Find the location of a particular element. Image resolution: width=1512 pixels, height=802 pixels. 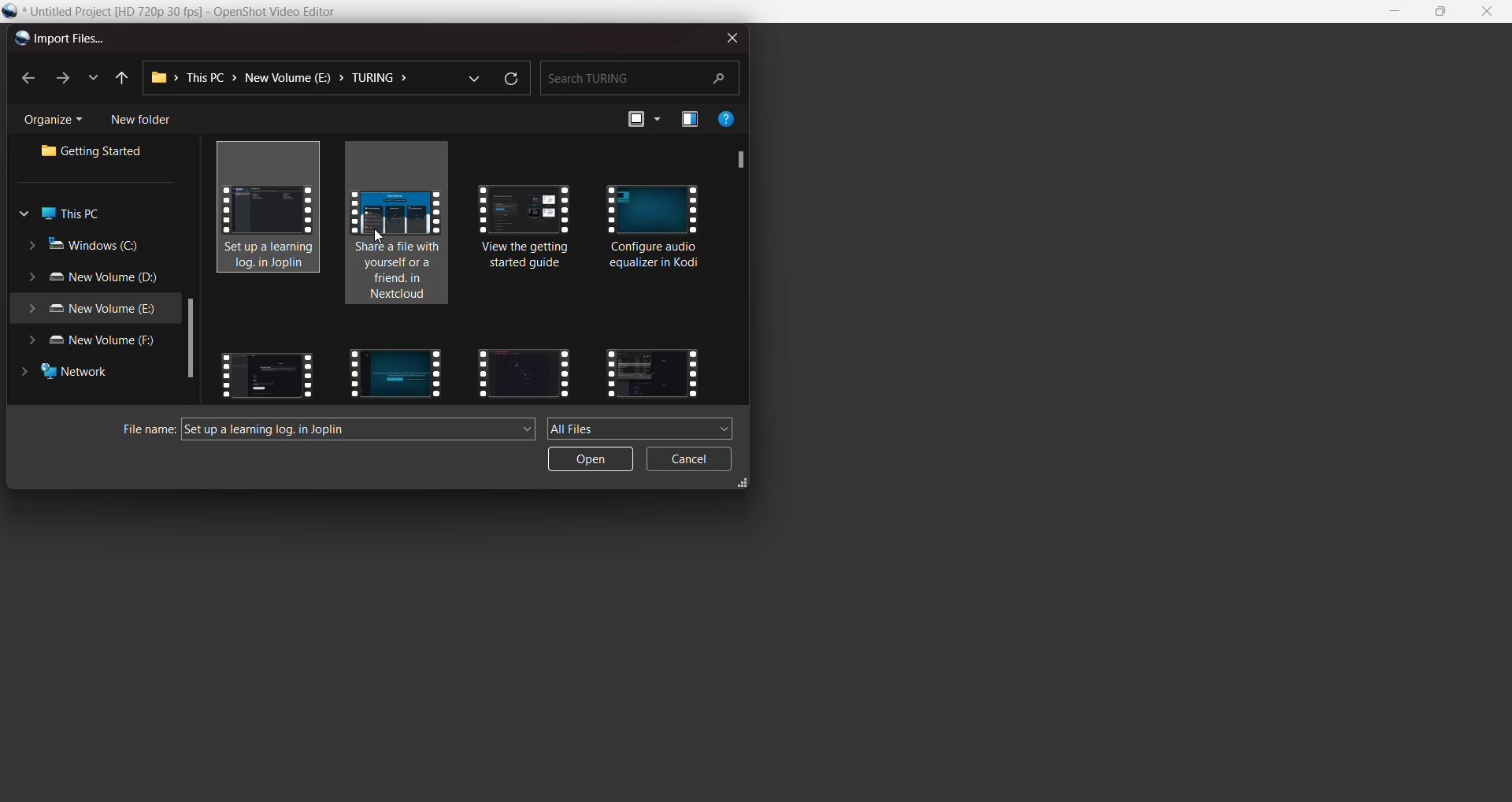

file name is located at coordinates (142, 430).